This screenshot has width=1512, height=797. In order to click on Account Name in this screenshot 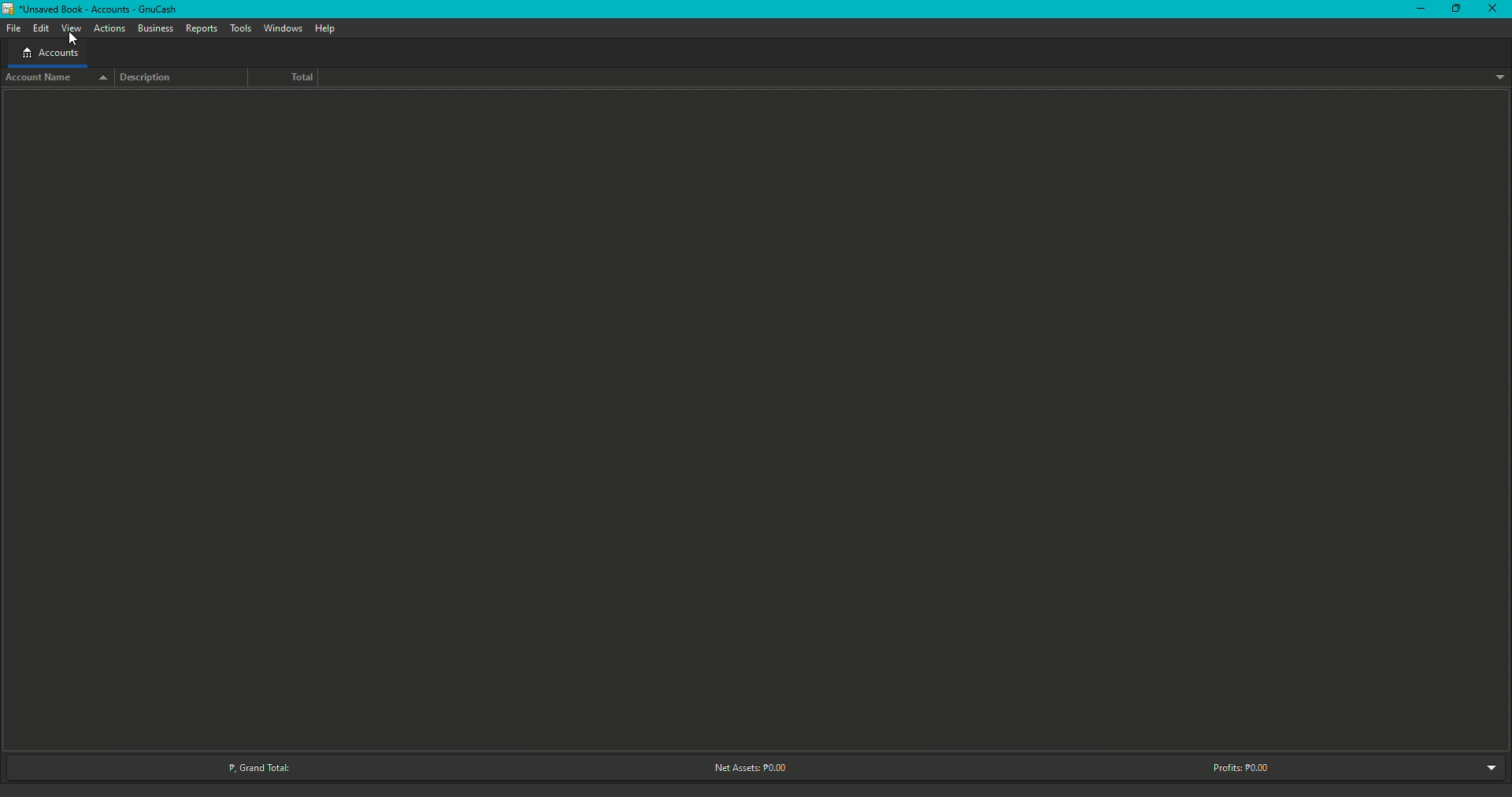, I will do `click(54, 78)`.